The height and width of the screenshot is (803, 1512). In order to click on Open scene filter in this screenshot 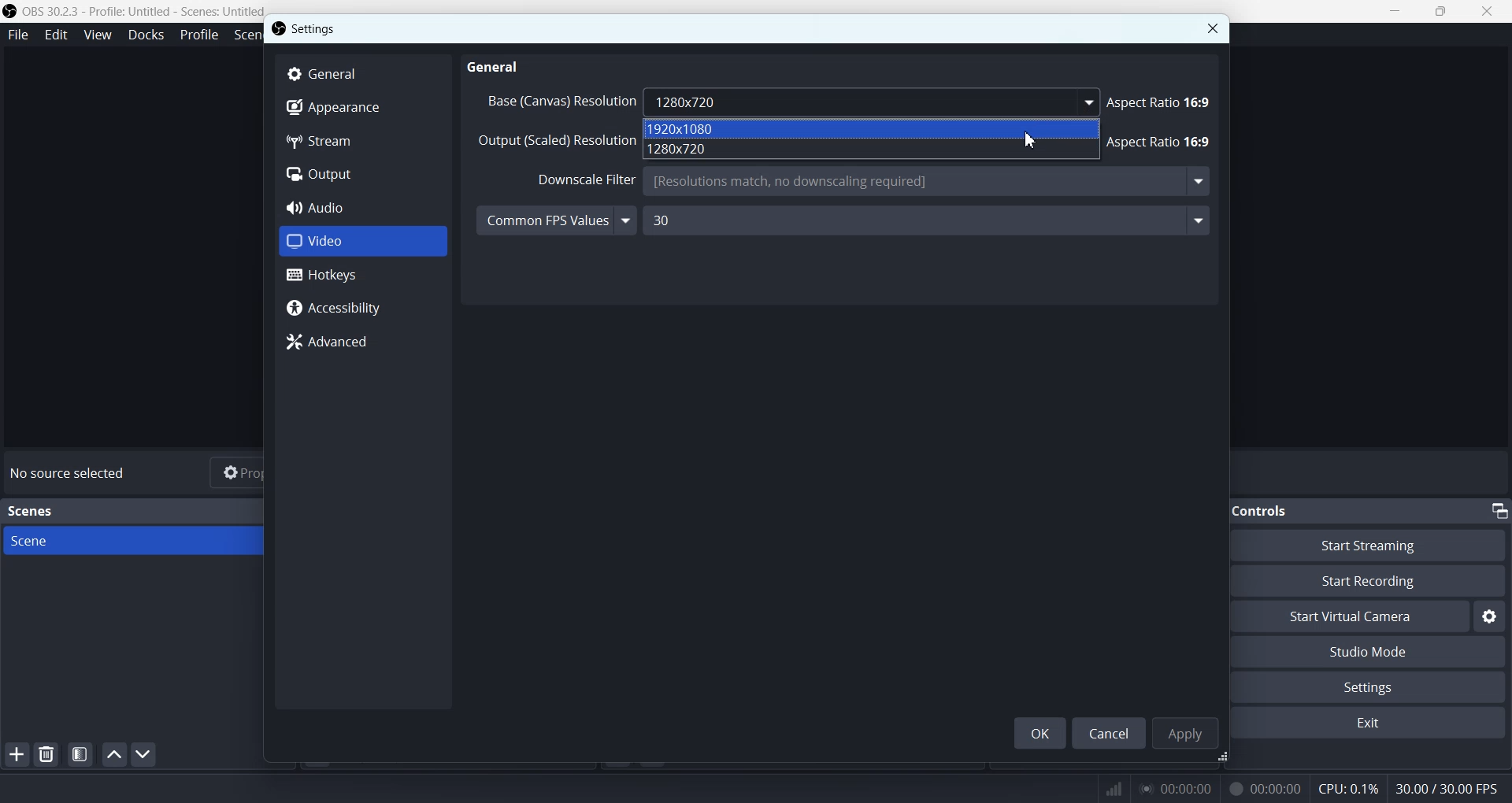, I will do `click(80, 754)`.